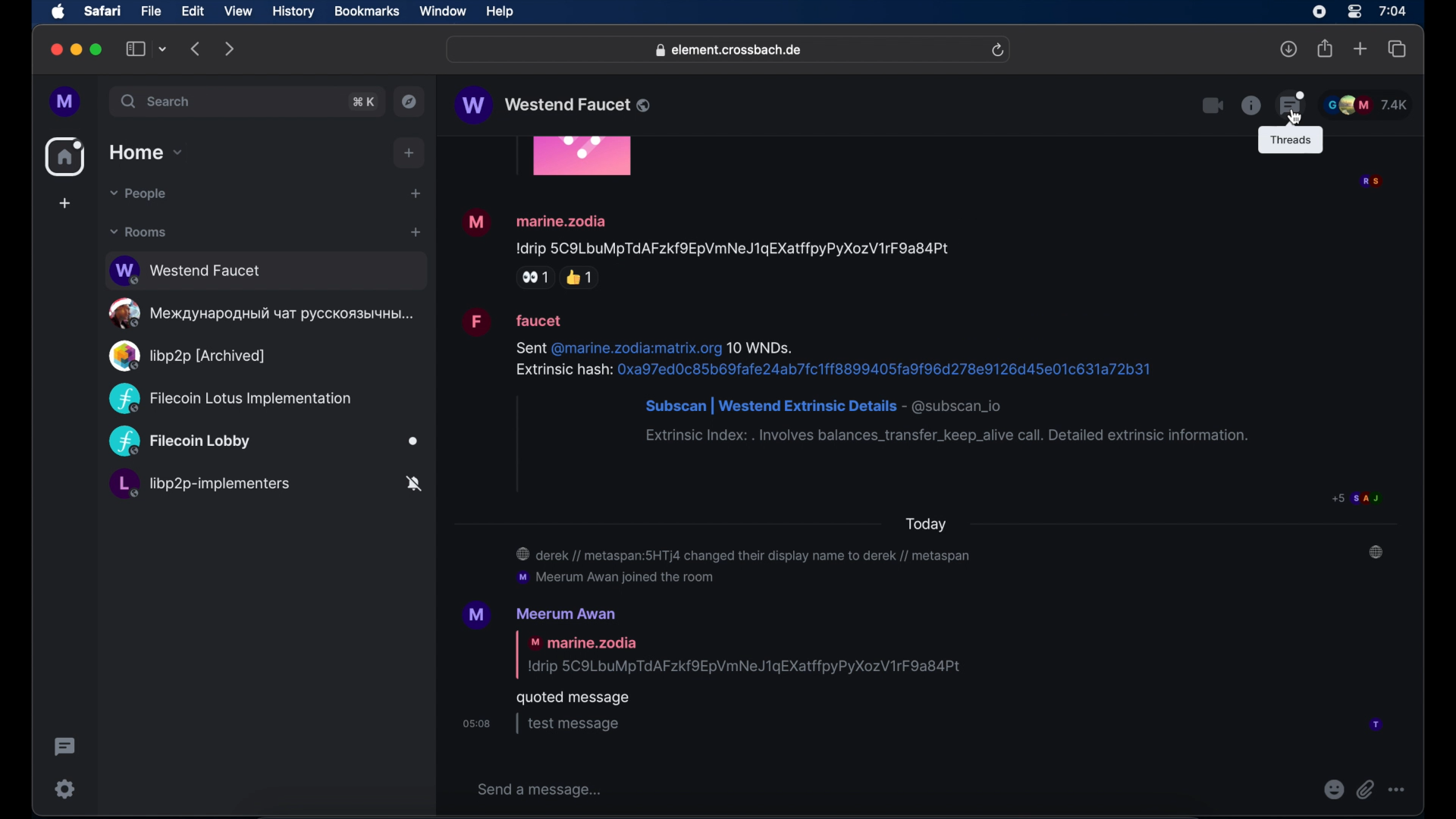  Describe the element at coordinates (1401, 49) in the screenshot. I see `show tab overview` at that location.